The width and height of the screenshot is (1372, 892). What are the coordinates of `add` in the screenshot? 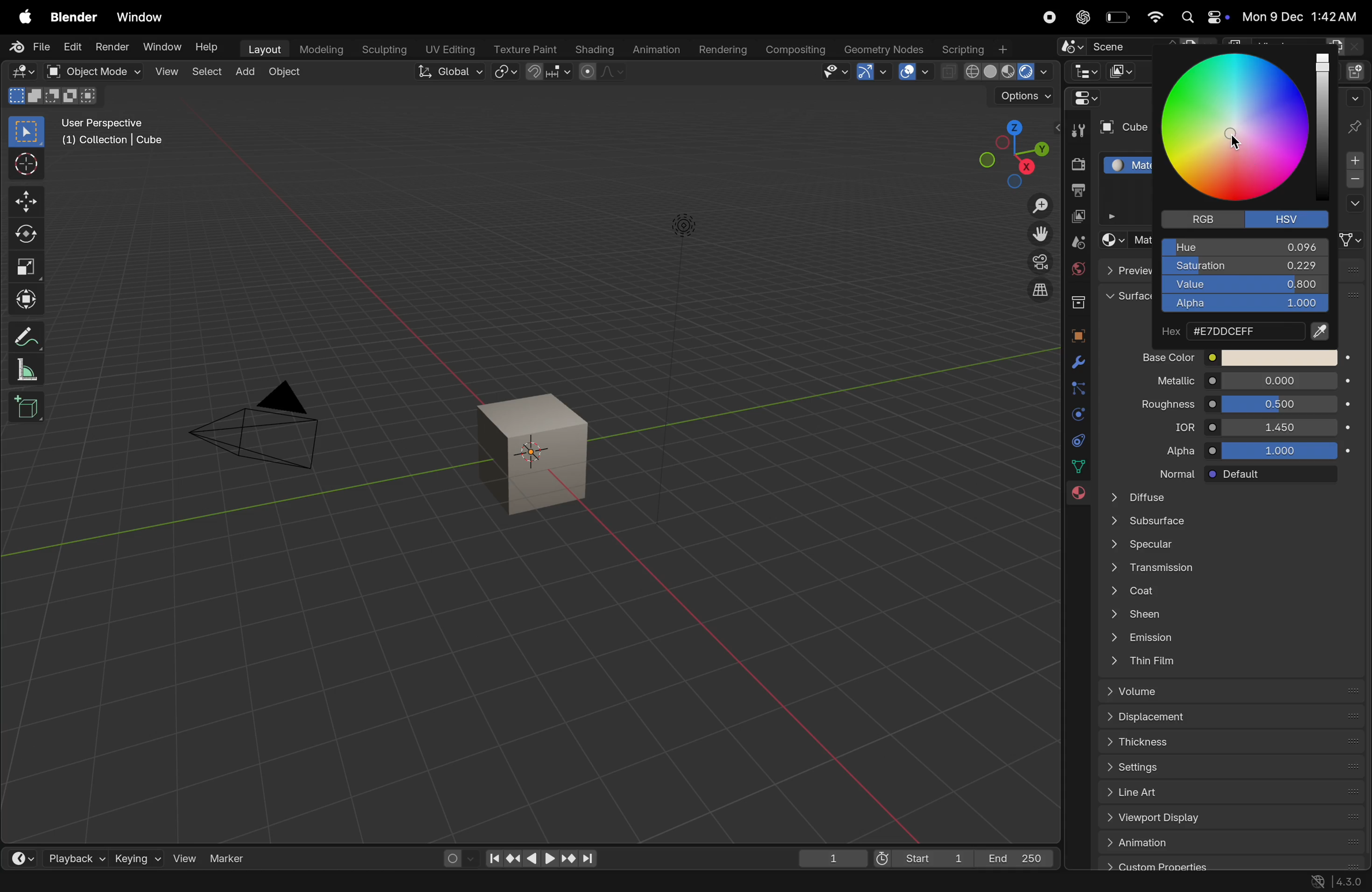 It's located at (244, 73).